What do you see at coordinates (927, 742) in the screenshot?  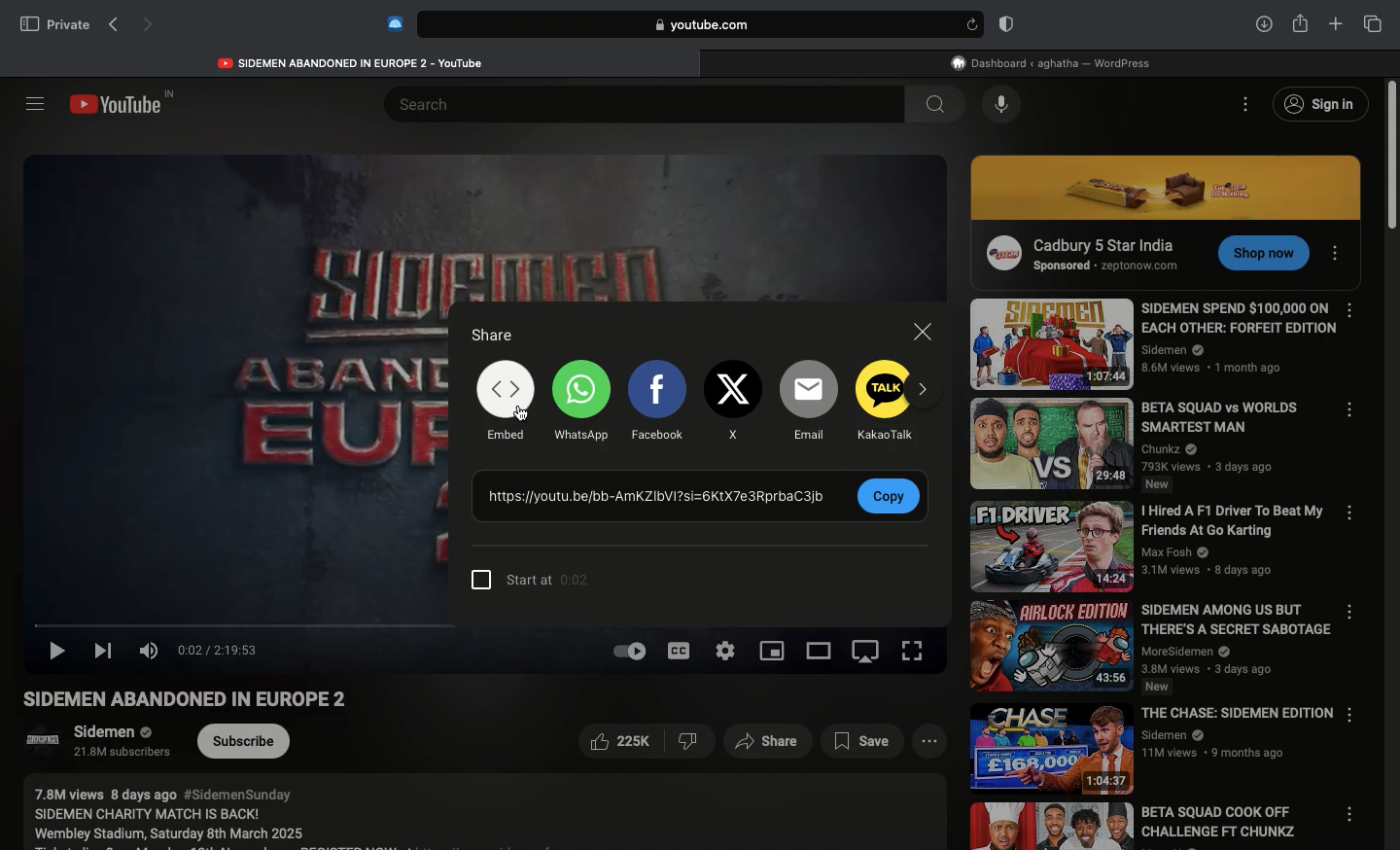 I see `View more` at bounding box center [927, 742].